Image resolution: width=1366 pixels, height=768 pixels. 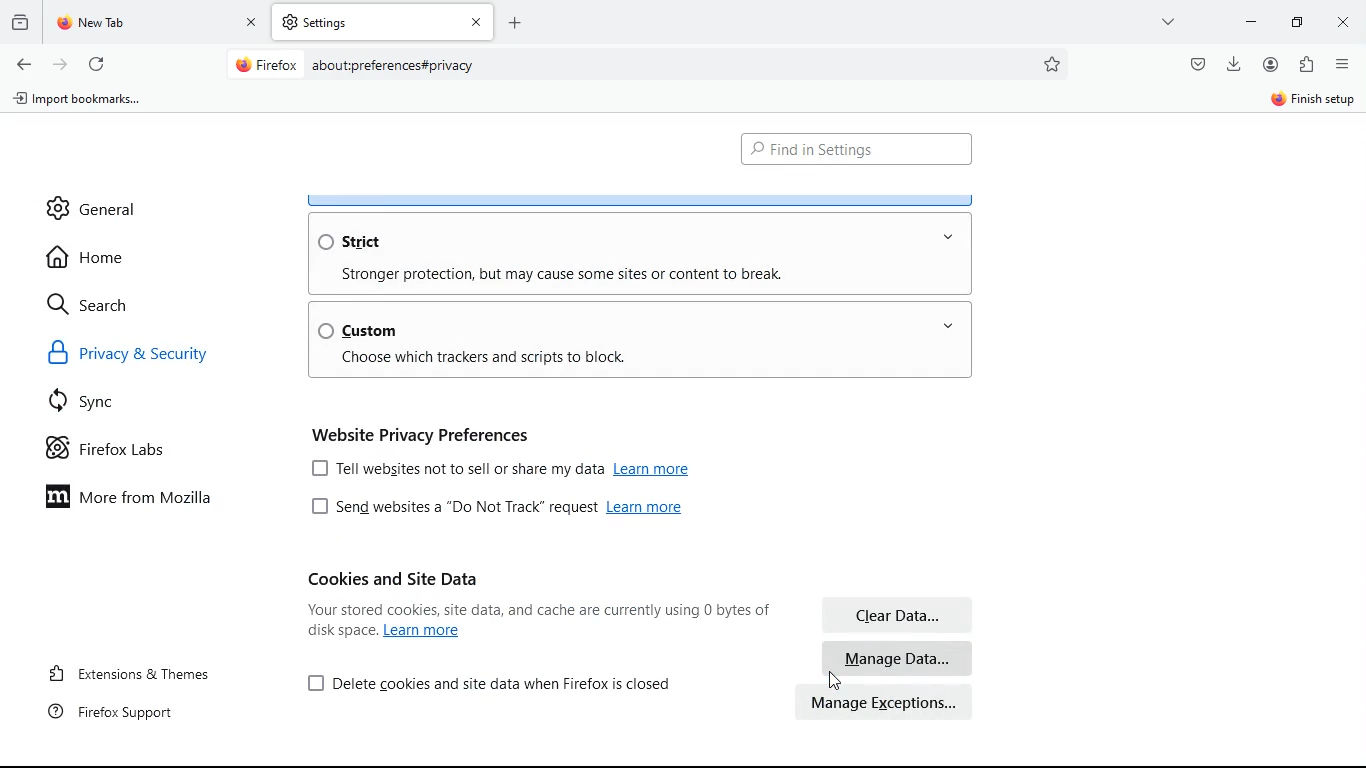 What do you see at coordinates (947, 324) in the screenshot?
I see `open` at bounding box center [947, 324].